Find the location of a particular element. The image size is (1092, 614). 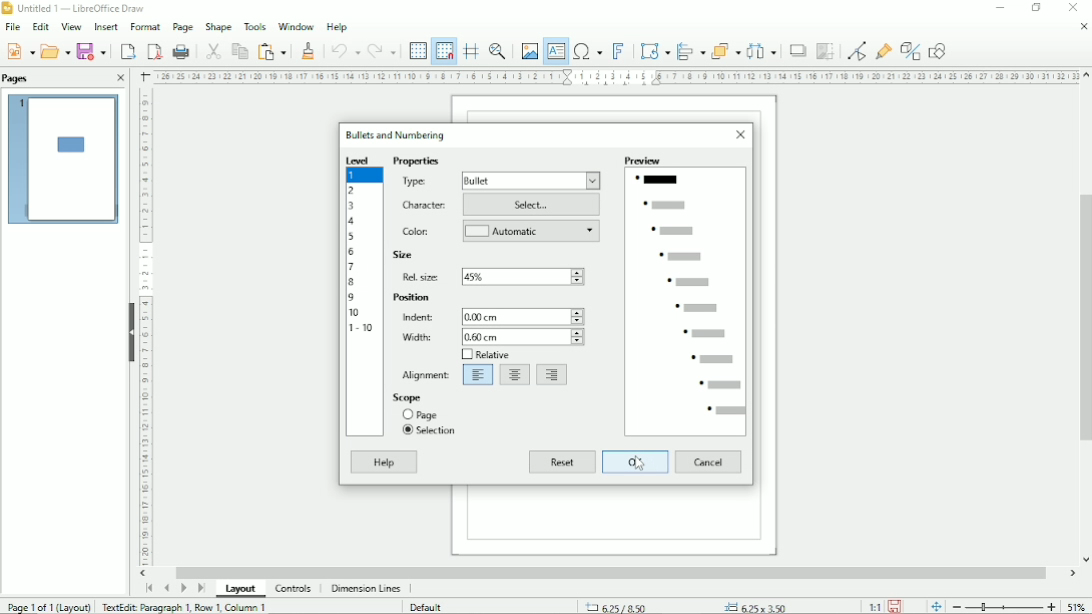

Character is located at coordinates (425, 206).